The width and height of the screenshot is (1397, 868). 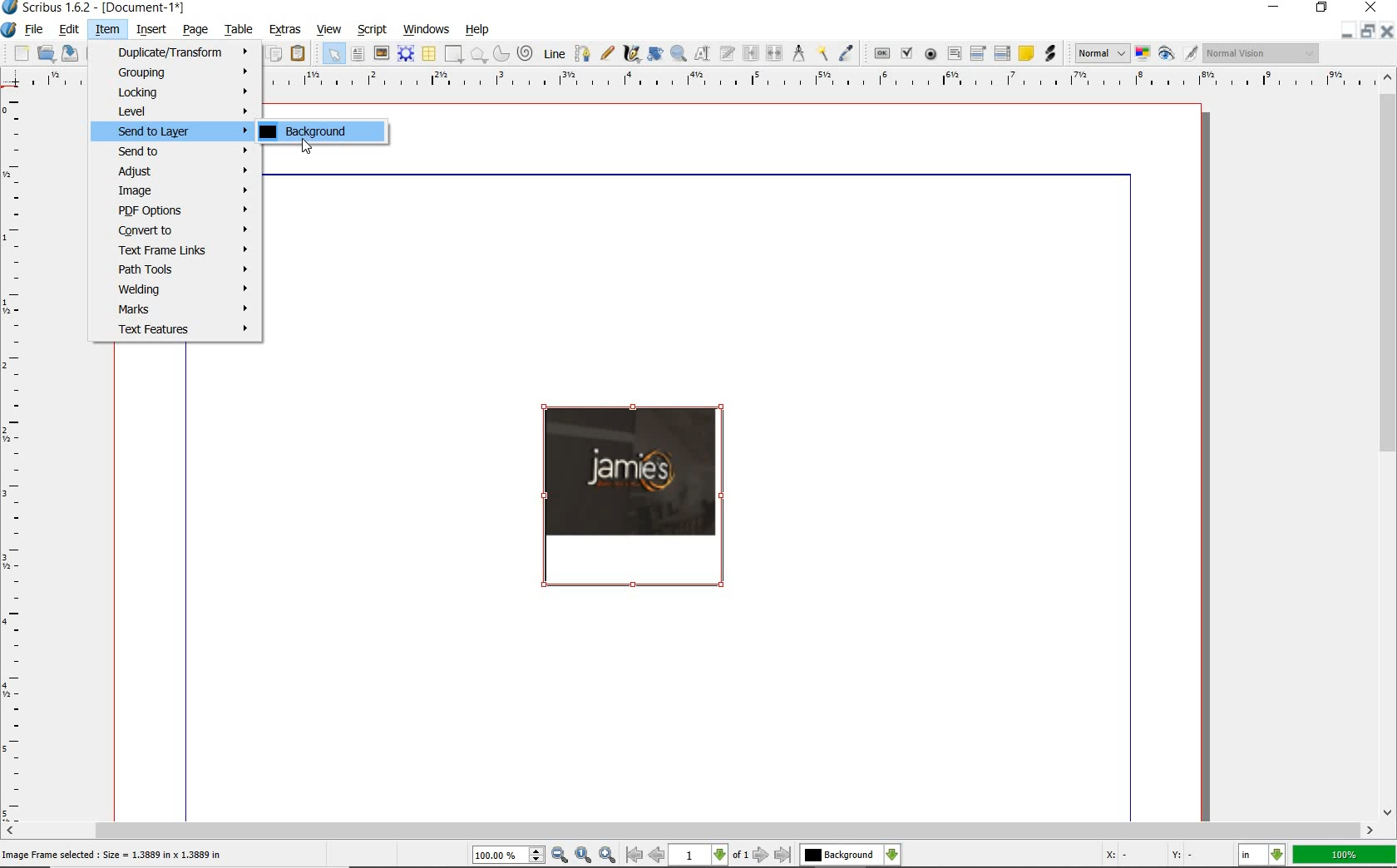 I want to click on Grouping, so click(x=175, y=72).